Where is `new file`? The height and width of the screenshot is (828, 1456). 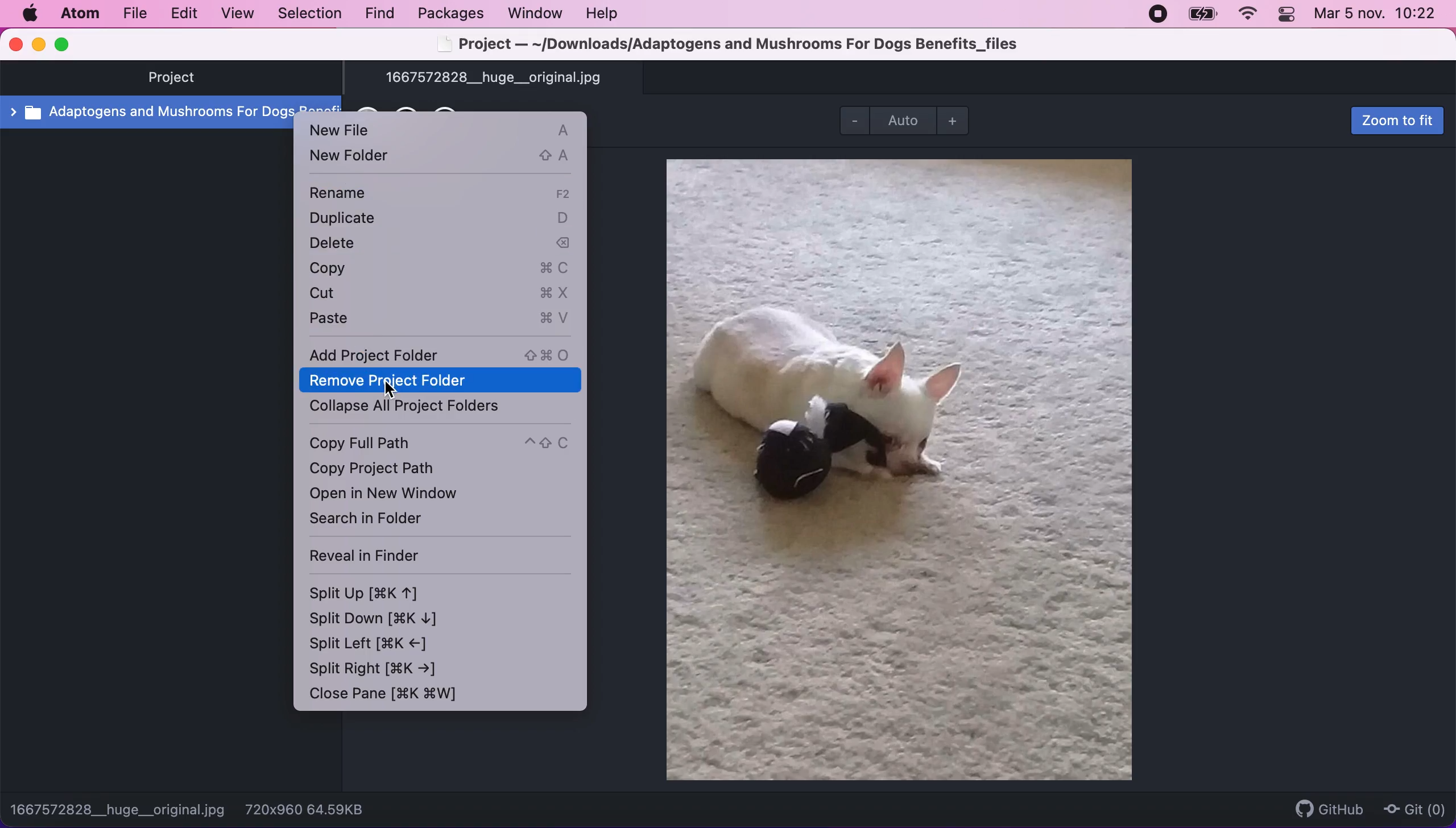
new file is located at coordinates (443, 131).